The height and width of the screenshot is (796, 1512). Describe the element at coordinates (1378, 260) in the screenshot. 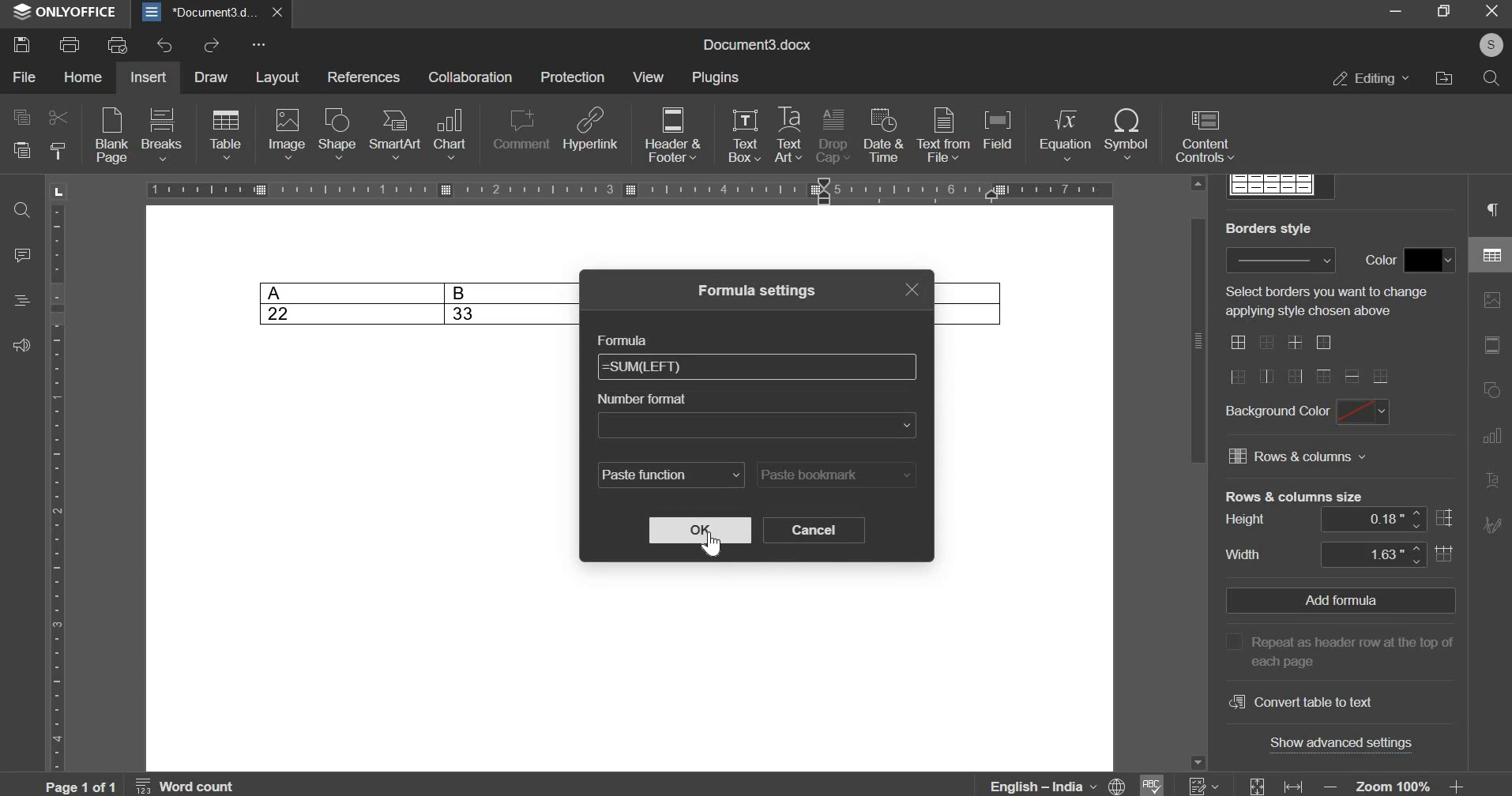

I see `Color` at that location.